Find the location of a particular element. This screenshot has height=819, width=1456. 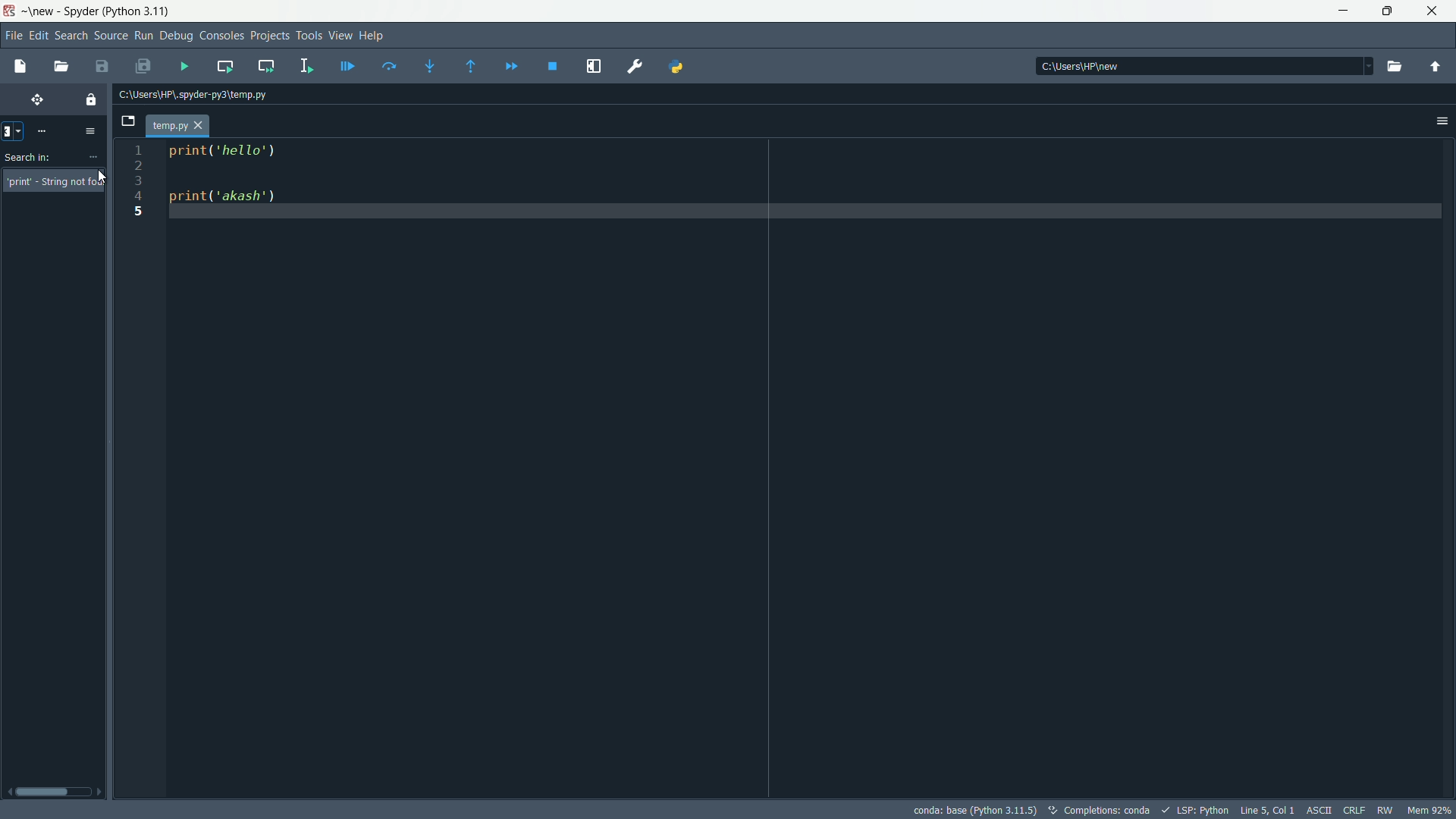

Source Button is located at coordinates (111, 36).